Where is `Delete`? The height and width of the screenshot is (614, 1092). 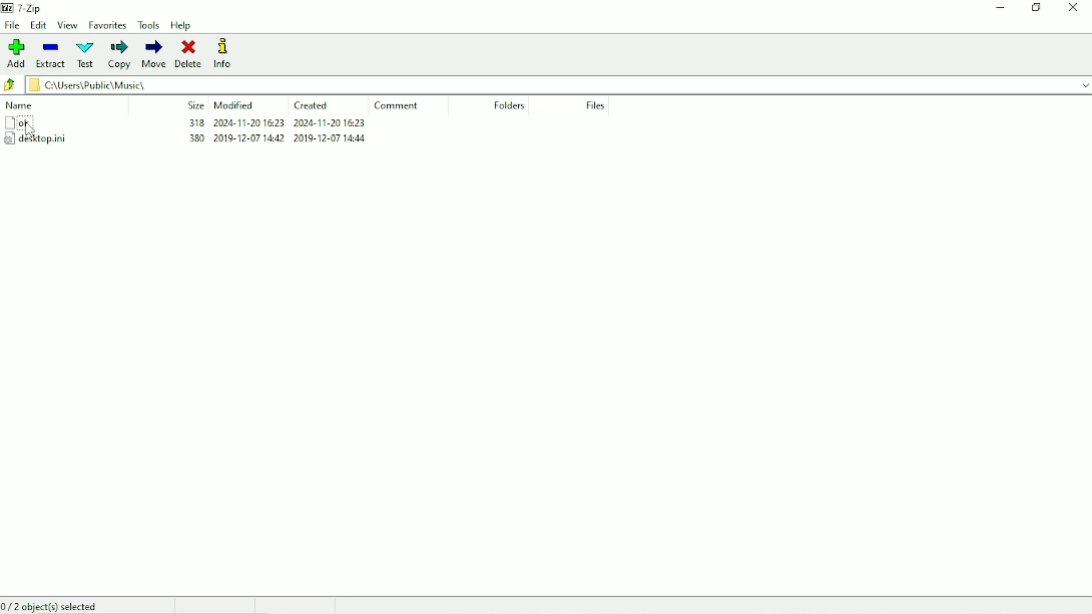 Delete is located at coordinates (189, 54).